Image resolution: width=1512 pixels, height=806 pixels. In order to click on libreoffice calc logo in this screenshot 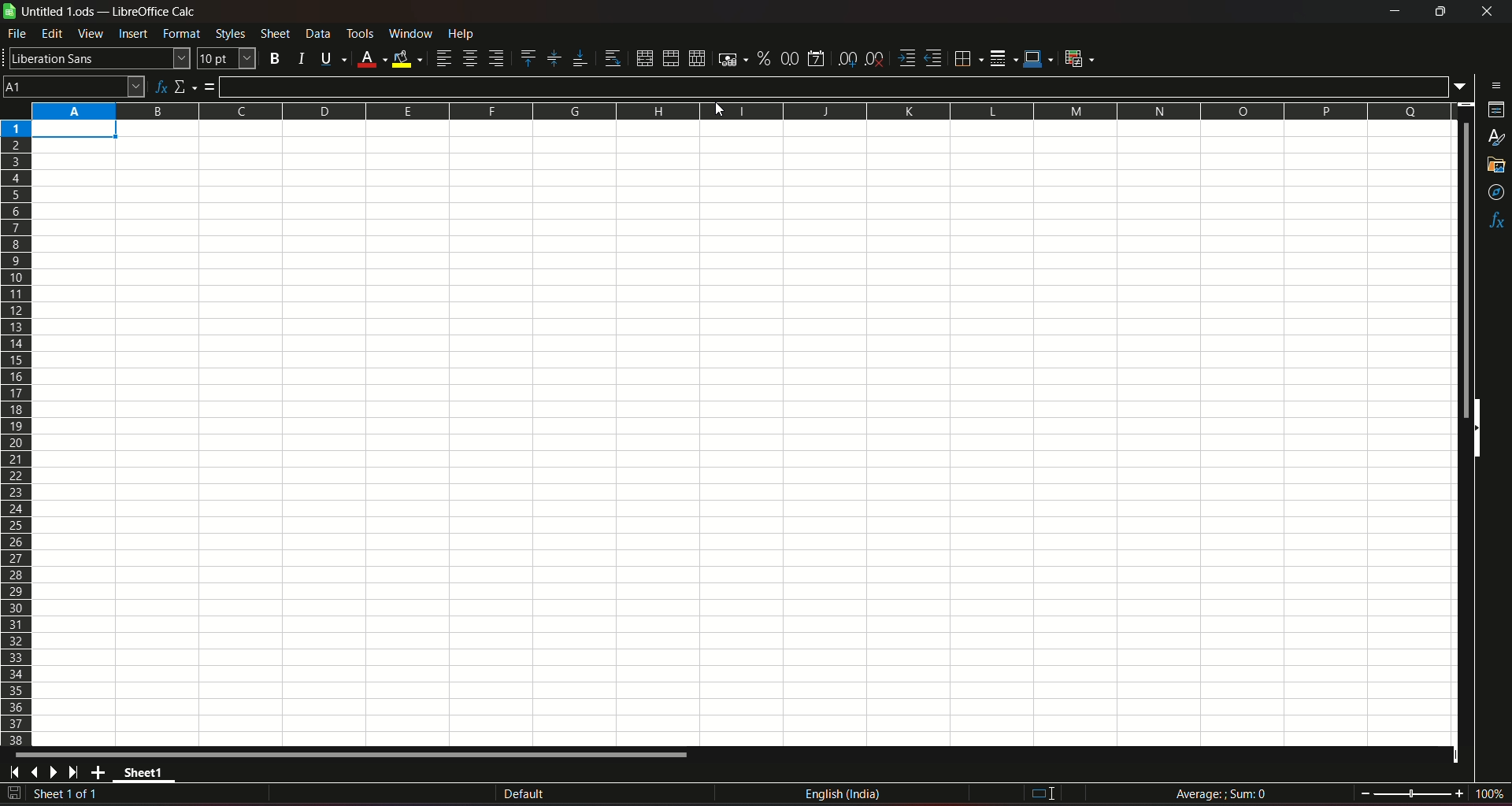, I will do `click(9, 12)`.